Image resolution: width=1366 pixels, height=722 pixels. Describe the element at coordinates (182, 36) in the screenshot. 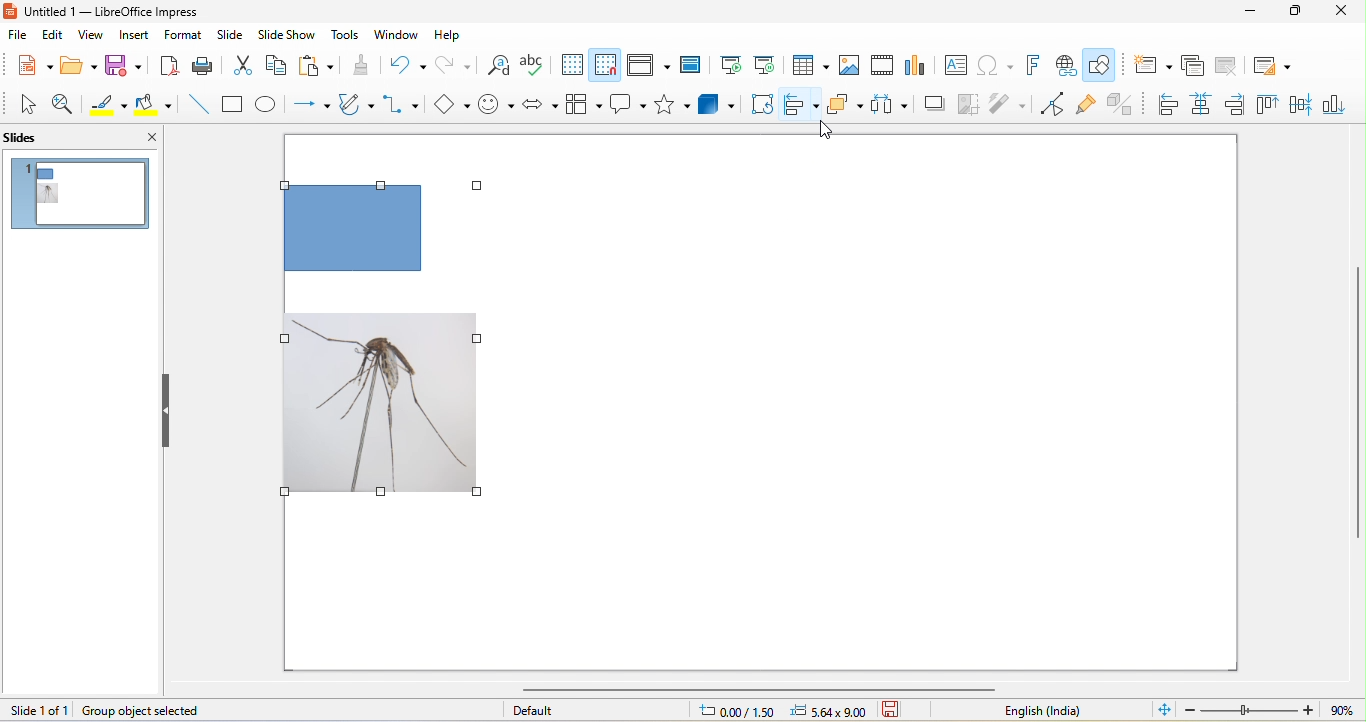

I see `format` at that location.